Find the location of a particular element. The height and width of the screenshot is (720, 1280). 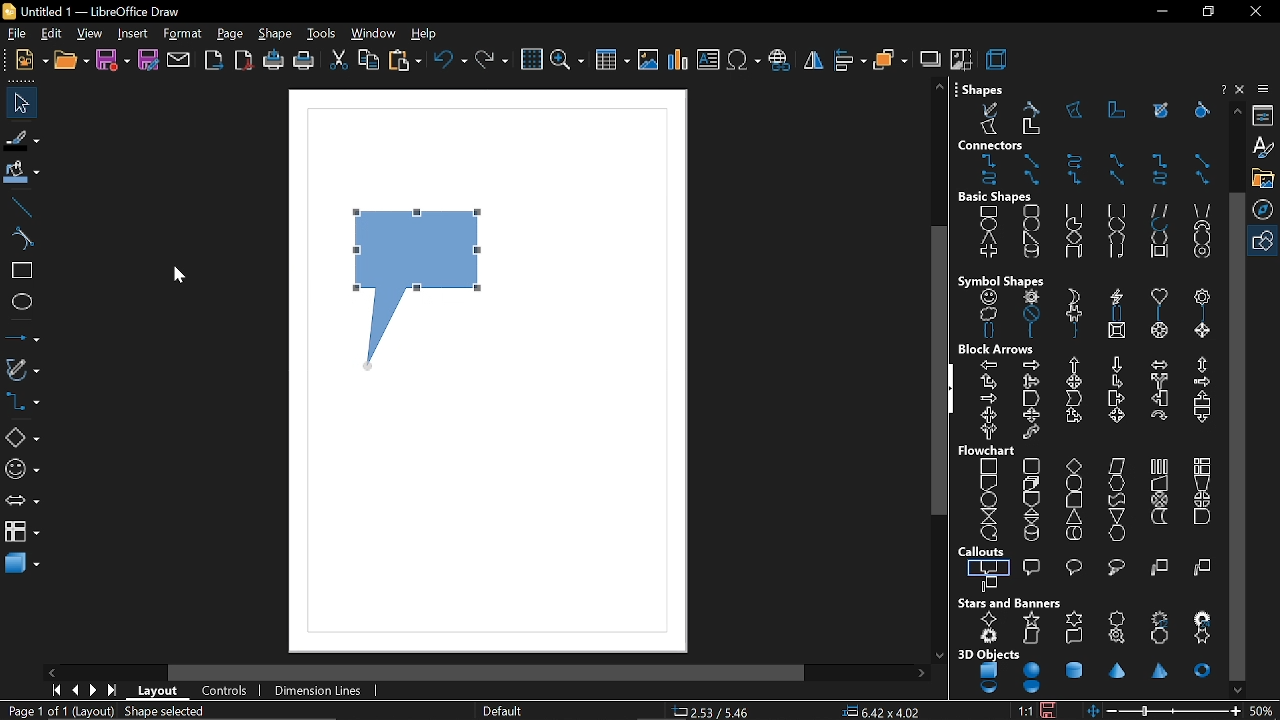

sidebar settings is located at coordinates (1264, 91).